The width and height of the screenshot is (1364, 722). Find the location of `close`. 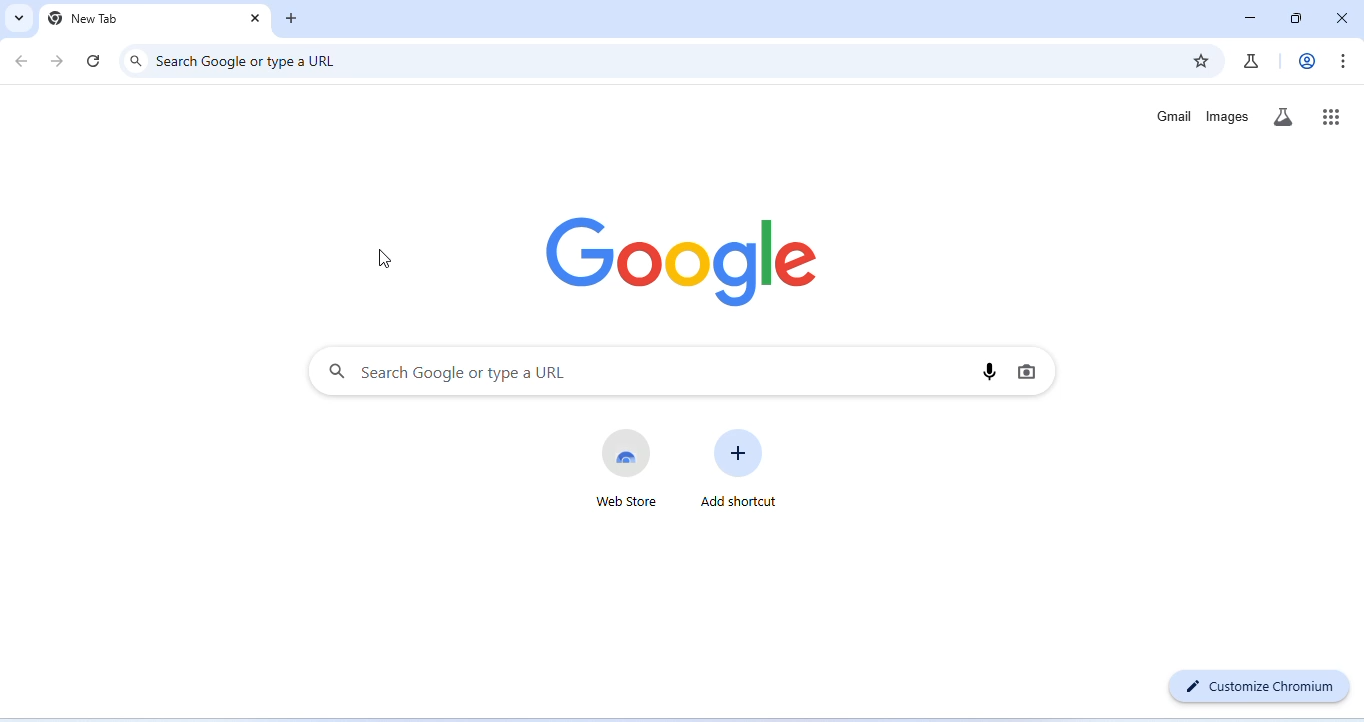

close is located at coordinates (1339, 17).